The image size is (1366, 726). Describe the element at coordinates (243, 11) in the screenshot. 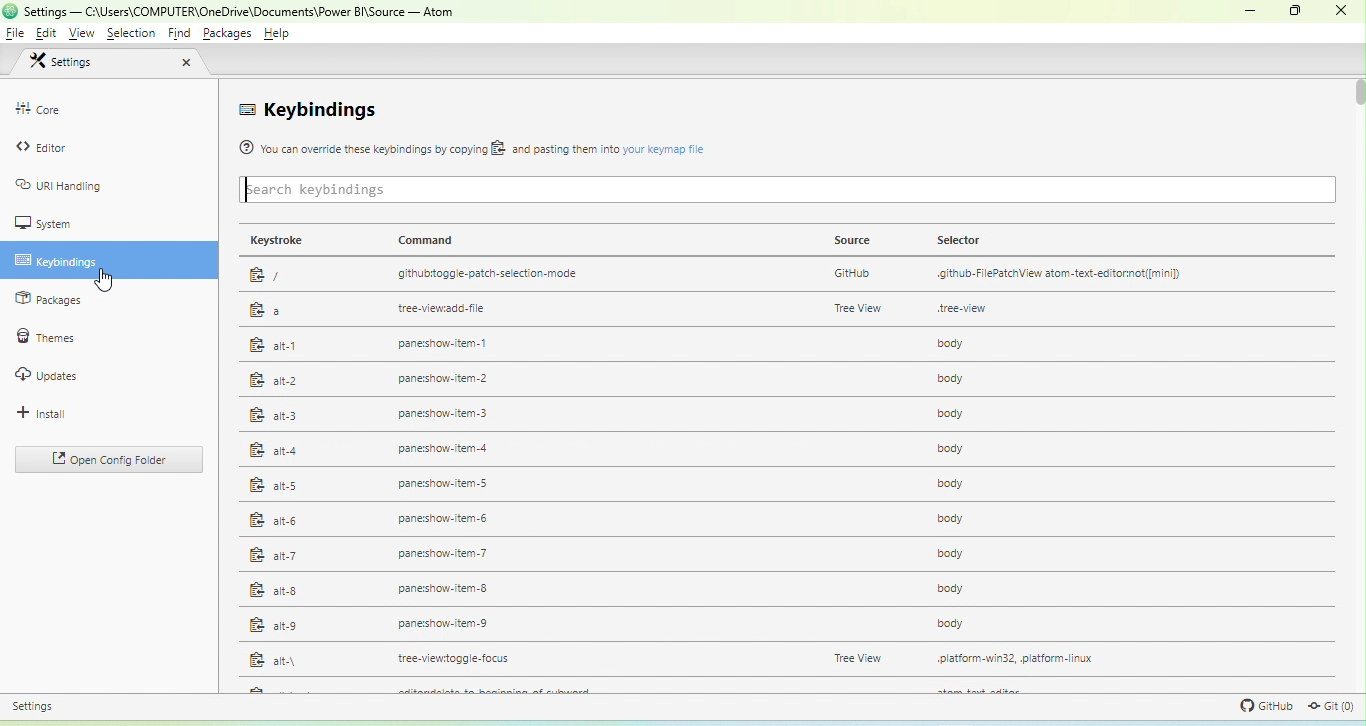

I see `settings - C:\Users\COMPUTER\OneDrive\Documents\Power BI\Source — Atom` at that location.